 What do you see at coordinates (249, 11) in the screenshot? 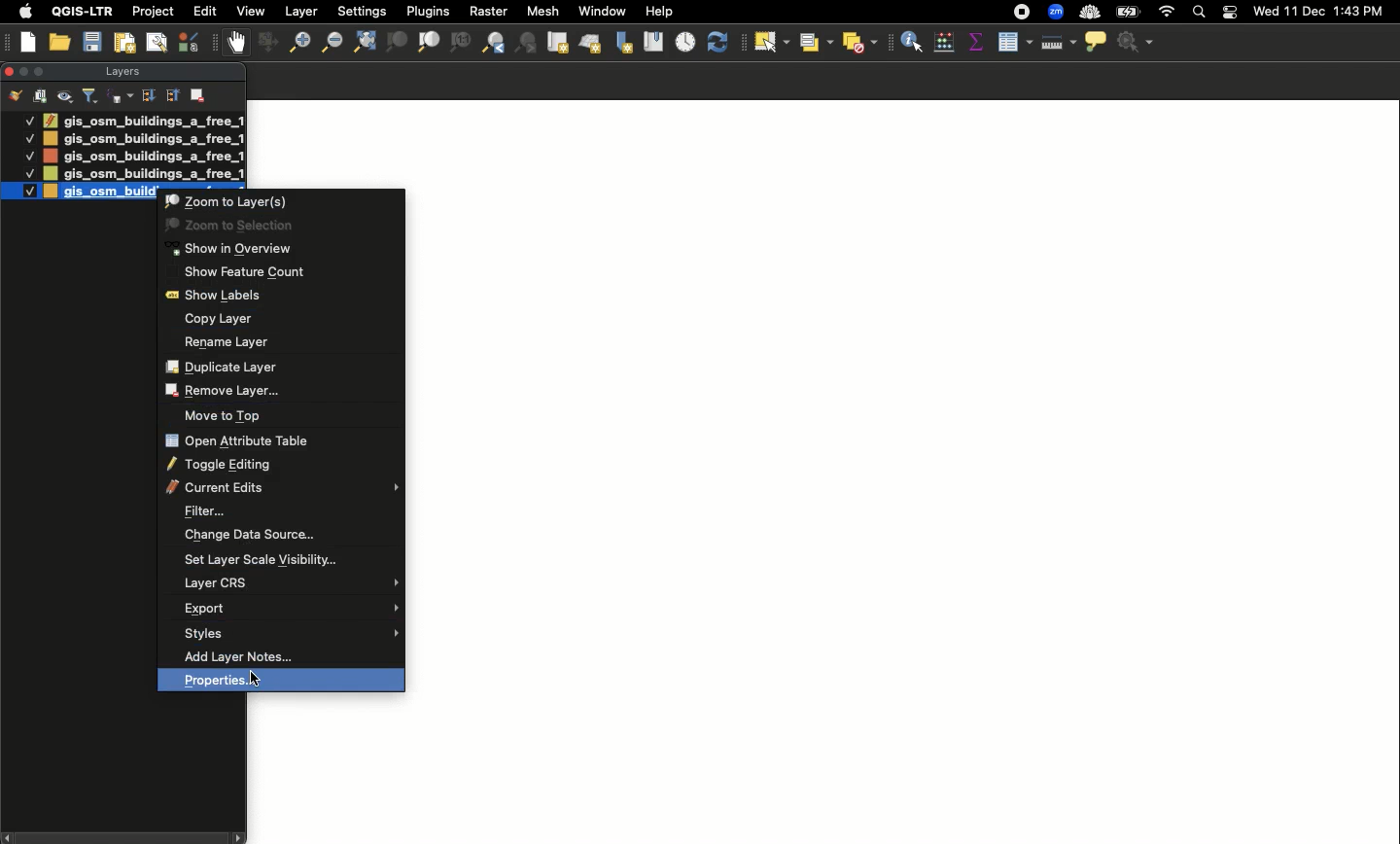
I see `View` at bounding box center [249, 11].